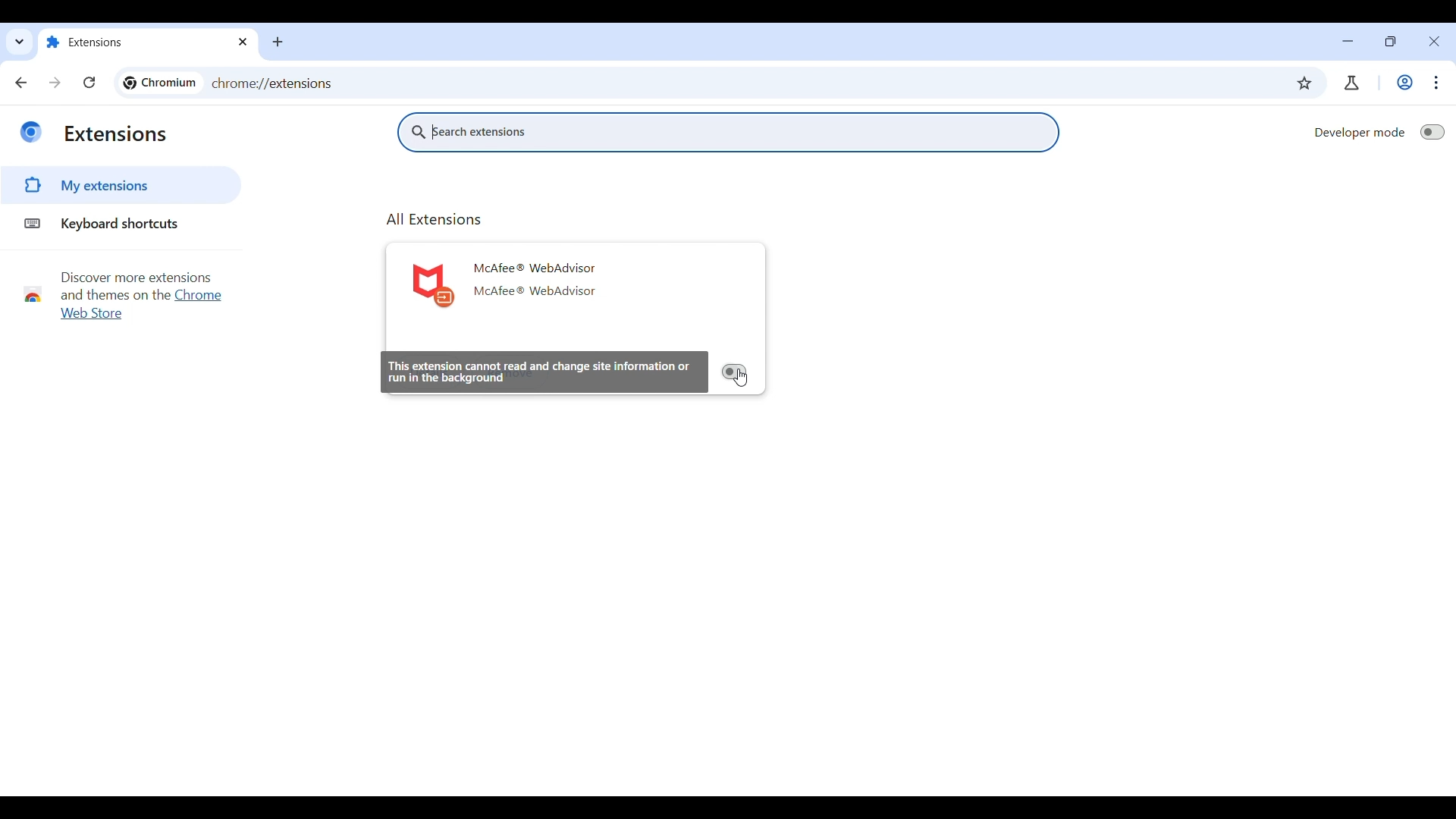  Describe the element at coordinates (1437, 83) in the screenshot. I see `Customize and control Chromium highlighted` at that location.